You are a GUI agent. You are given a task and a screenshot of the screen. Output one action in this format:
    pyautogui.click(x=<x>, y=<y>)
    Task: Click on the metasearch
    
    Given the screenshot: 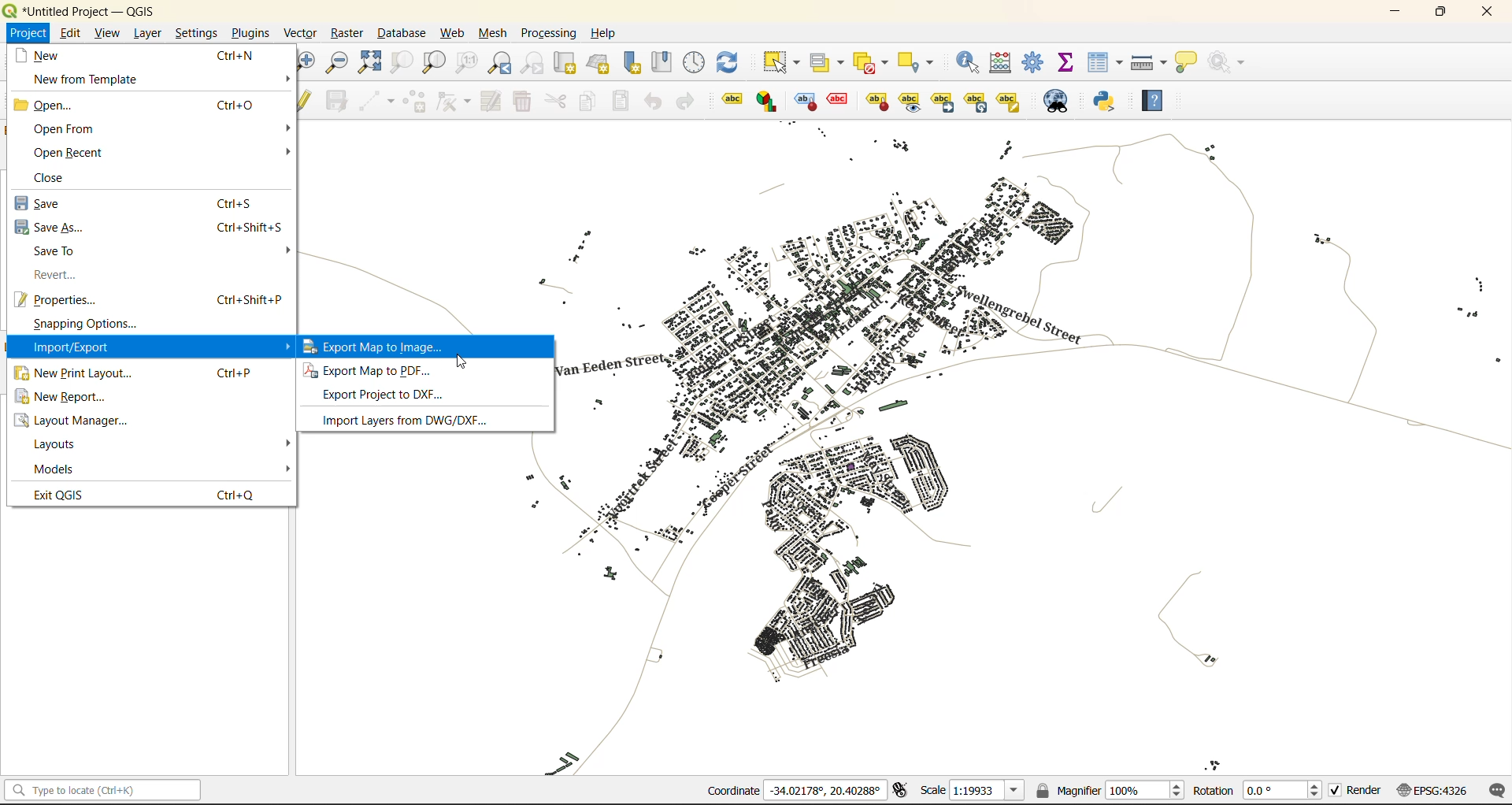 What is the action you would take?
    pyautogui.click(x=1058, y=101)
    